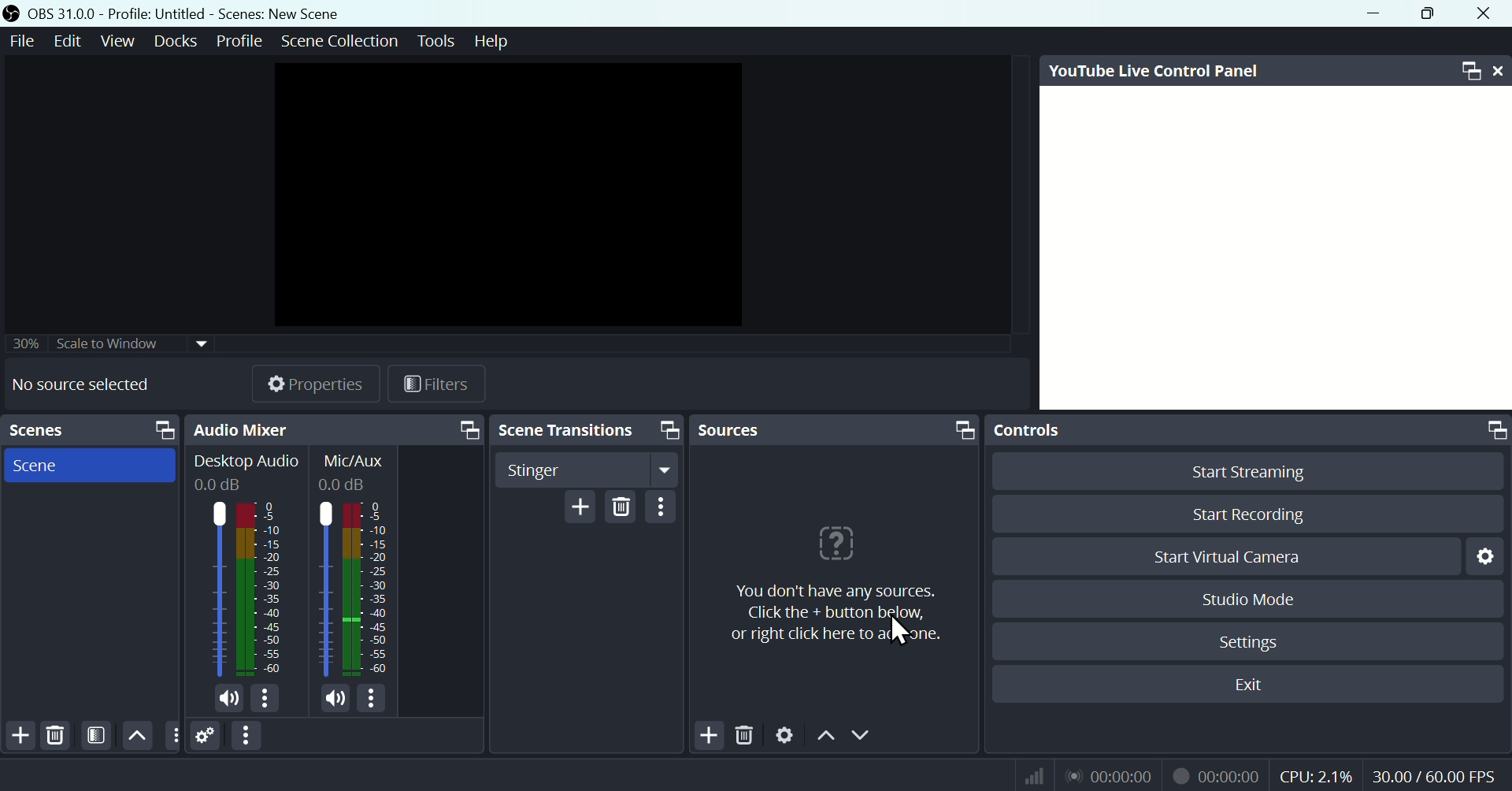 The height and width of the screenshot is (791, 1512). I want to click on Option, so click(661, 507).